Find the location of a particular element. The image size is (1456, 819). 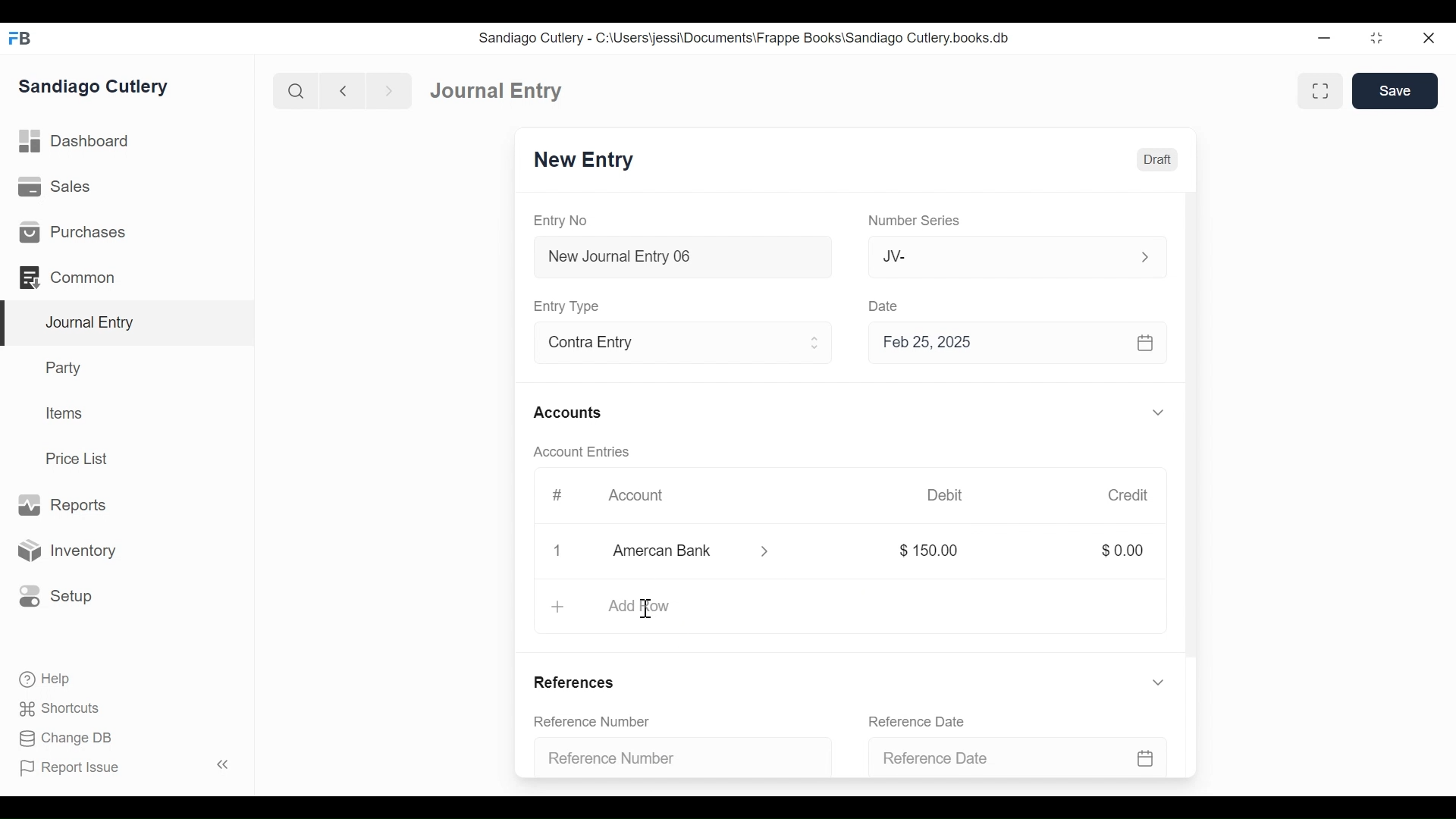

Price List is located at coordinates (82, 459).